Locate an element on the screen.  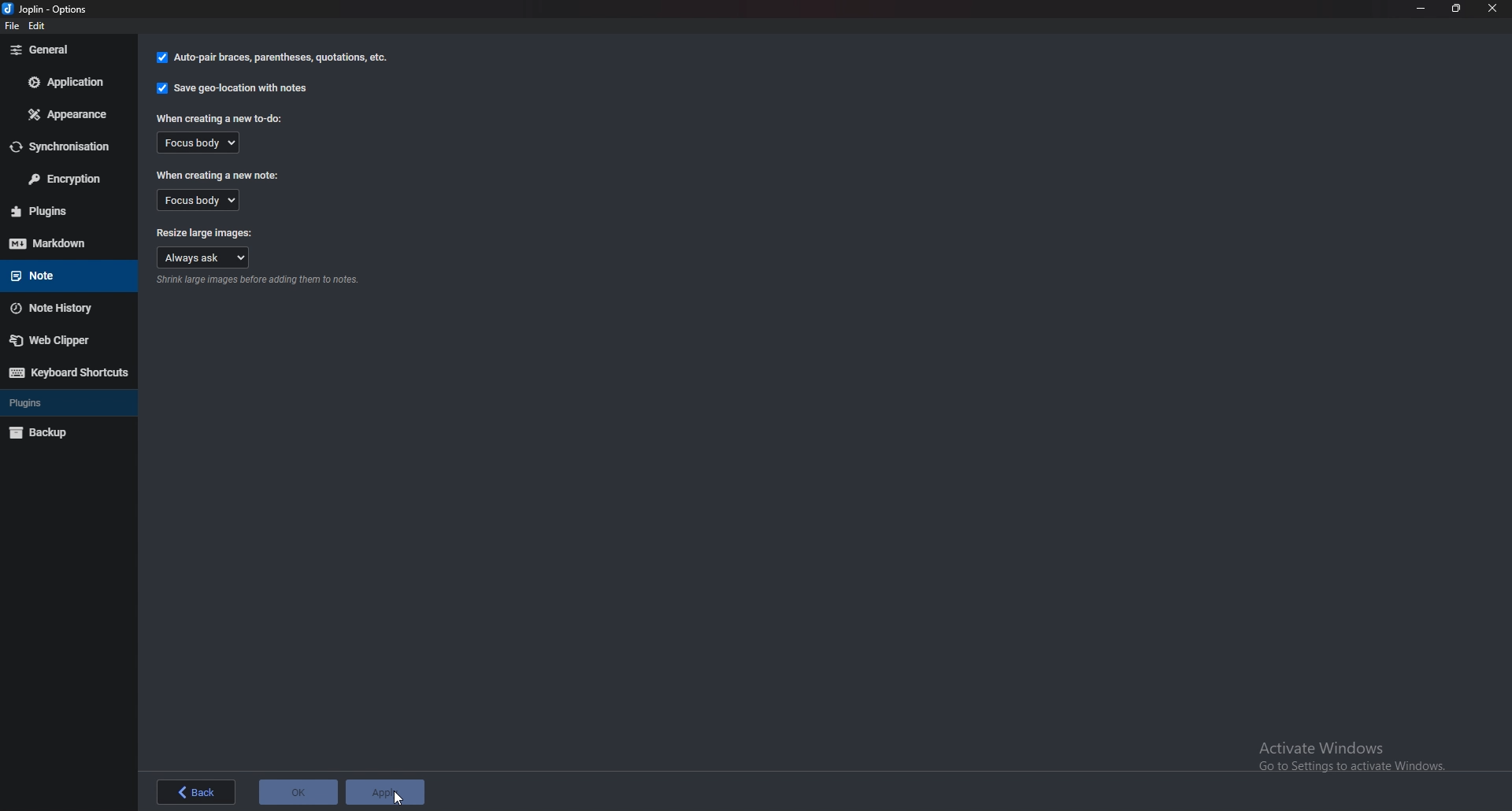
Info is located at coordinates (261, 280).